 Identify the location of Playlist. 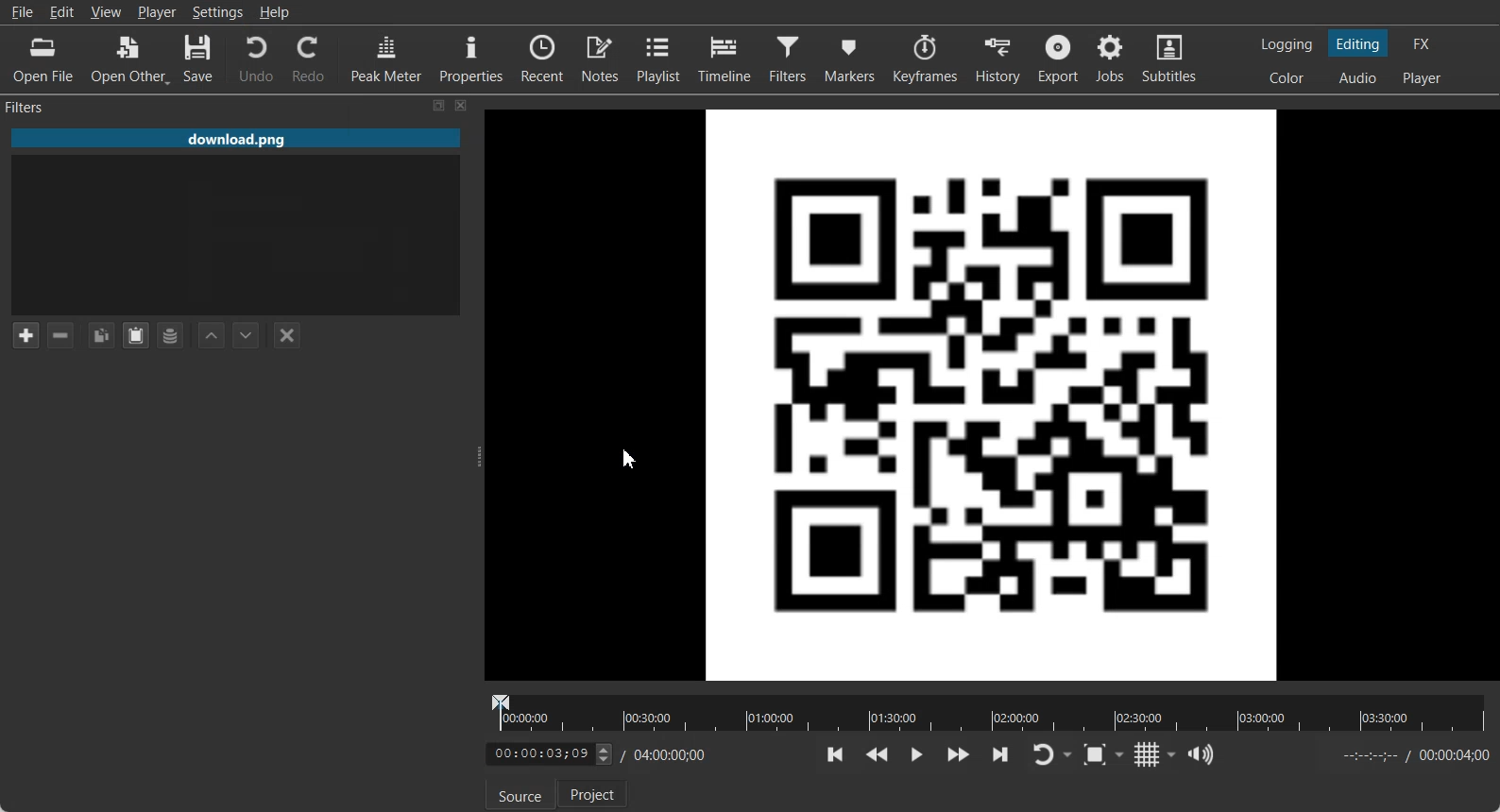
(659, 58).